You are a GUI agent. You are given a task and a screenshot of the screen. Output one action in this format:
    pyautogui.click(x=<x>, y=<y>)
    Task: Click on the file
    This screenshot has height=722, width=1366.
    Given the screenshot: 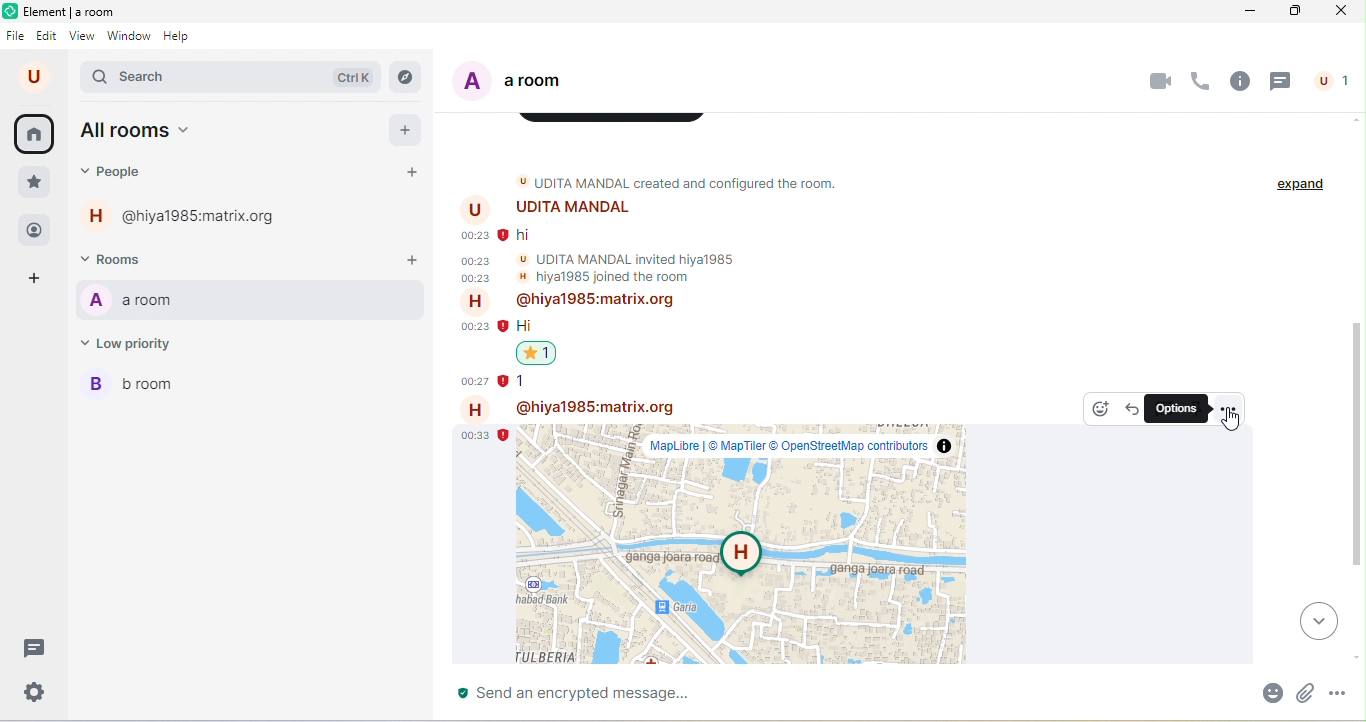 What is the action you would take?
    pyautogui.click(x=16, y=36)
    